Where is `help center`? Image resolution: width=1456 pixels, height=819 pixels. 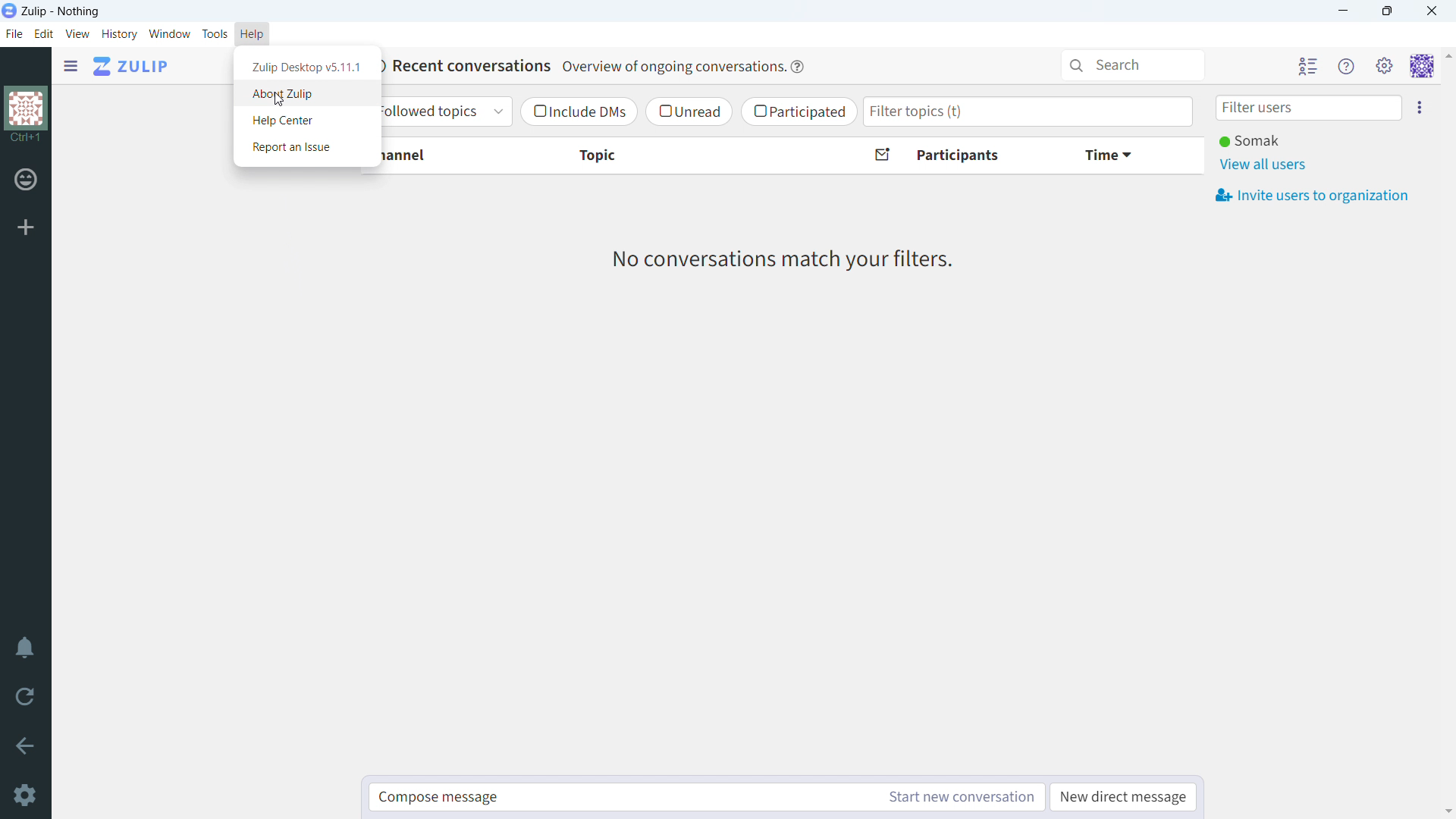 help center is located at coordinates (301, 121).